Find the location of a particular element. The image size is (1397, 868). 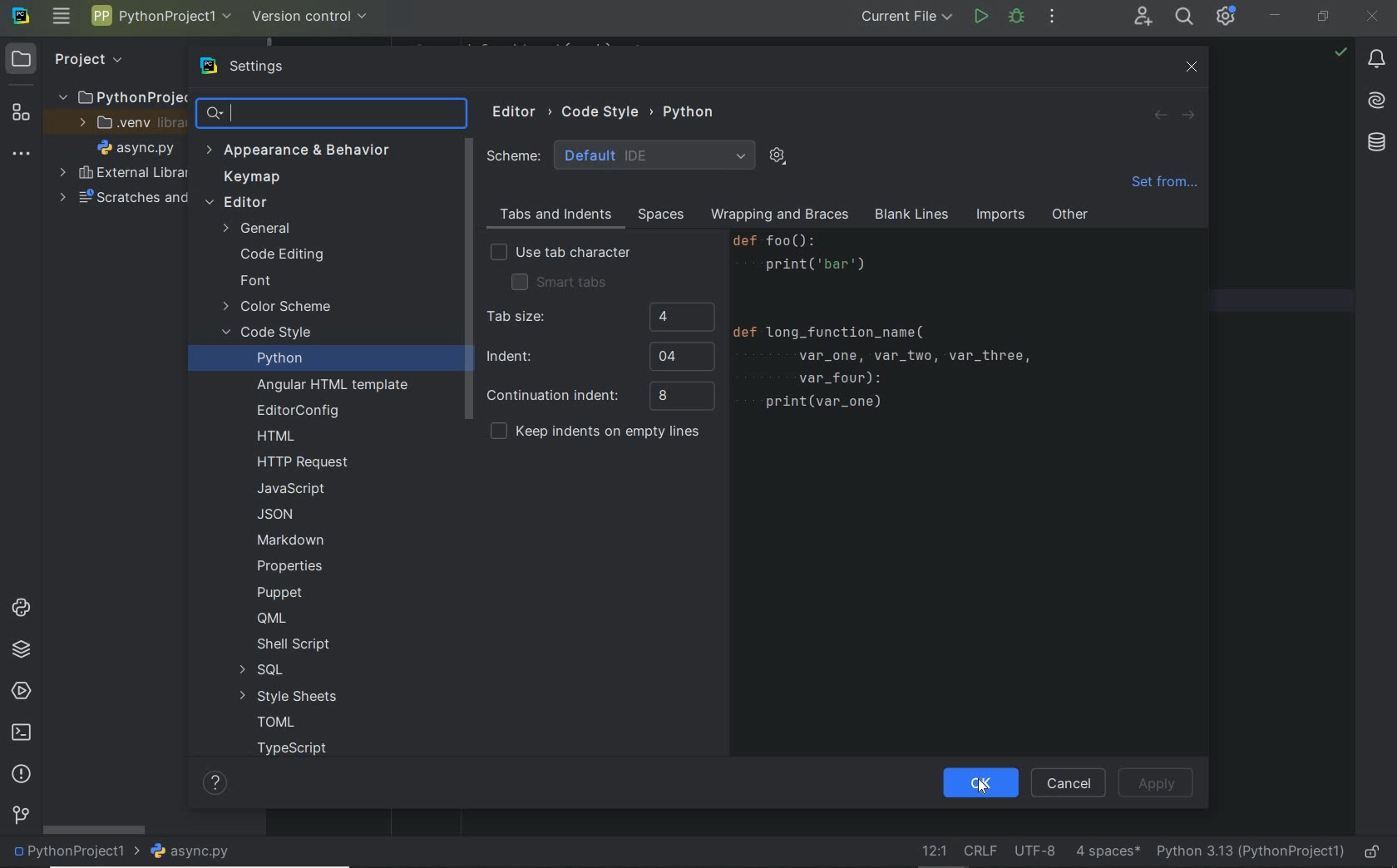

restore down is located at coordinates (1323, 20).